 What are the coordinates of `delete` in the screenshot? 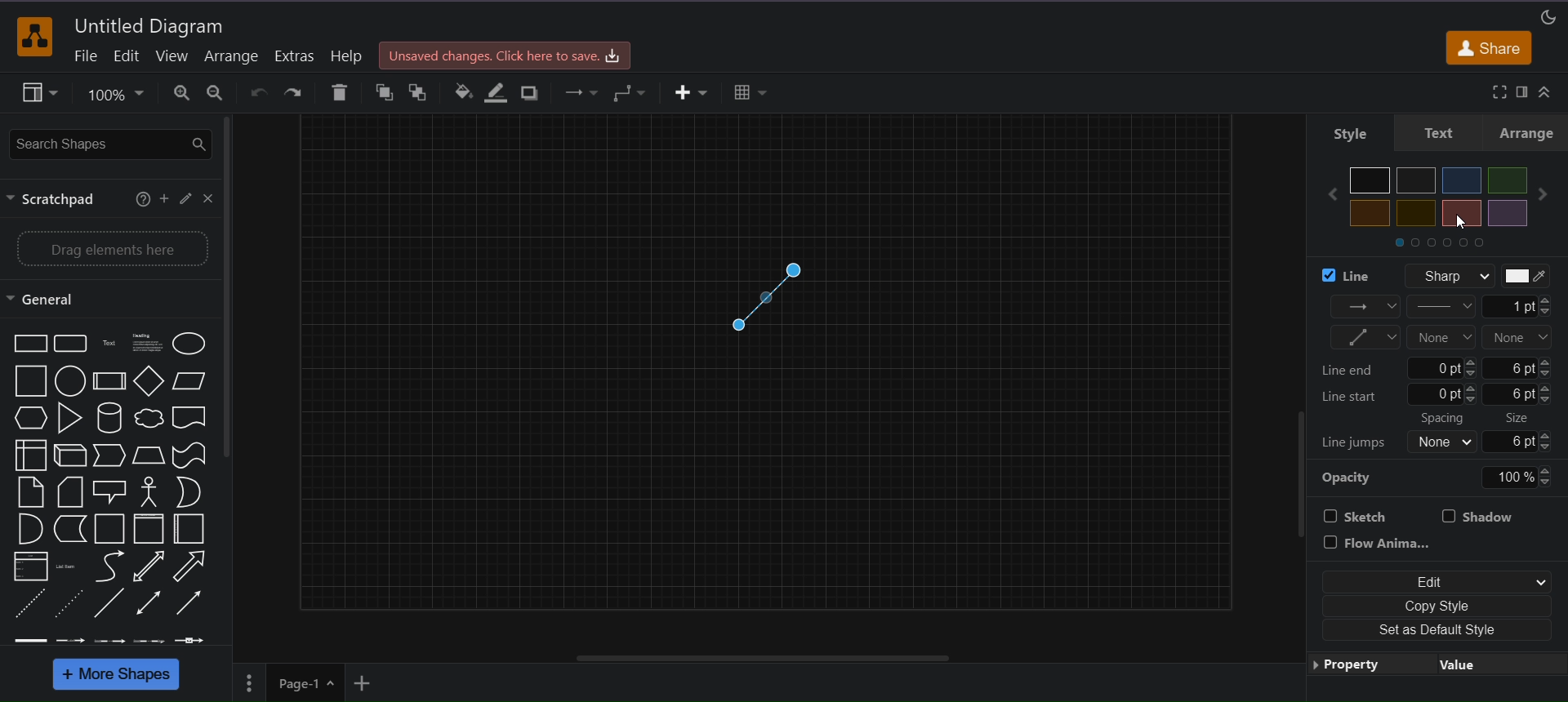 It's located at (340, 91).